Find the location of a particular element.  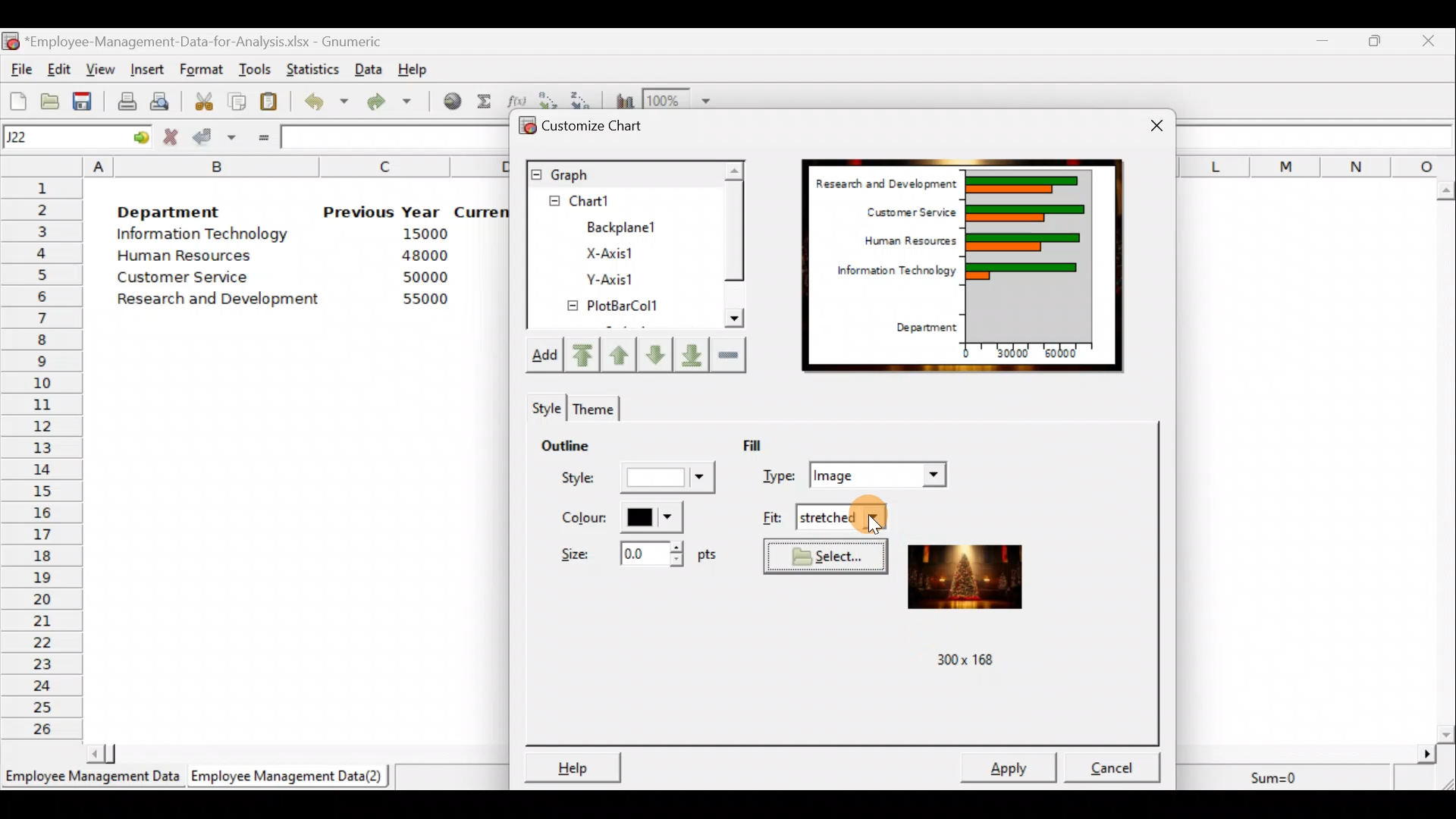

Scroll bar is located at coordinates (1447, 457).